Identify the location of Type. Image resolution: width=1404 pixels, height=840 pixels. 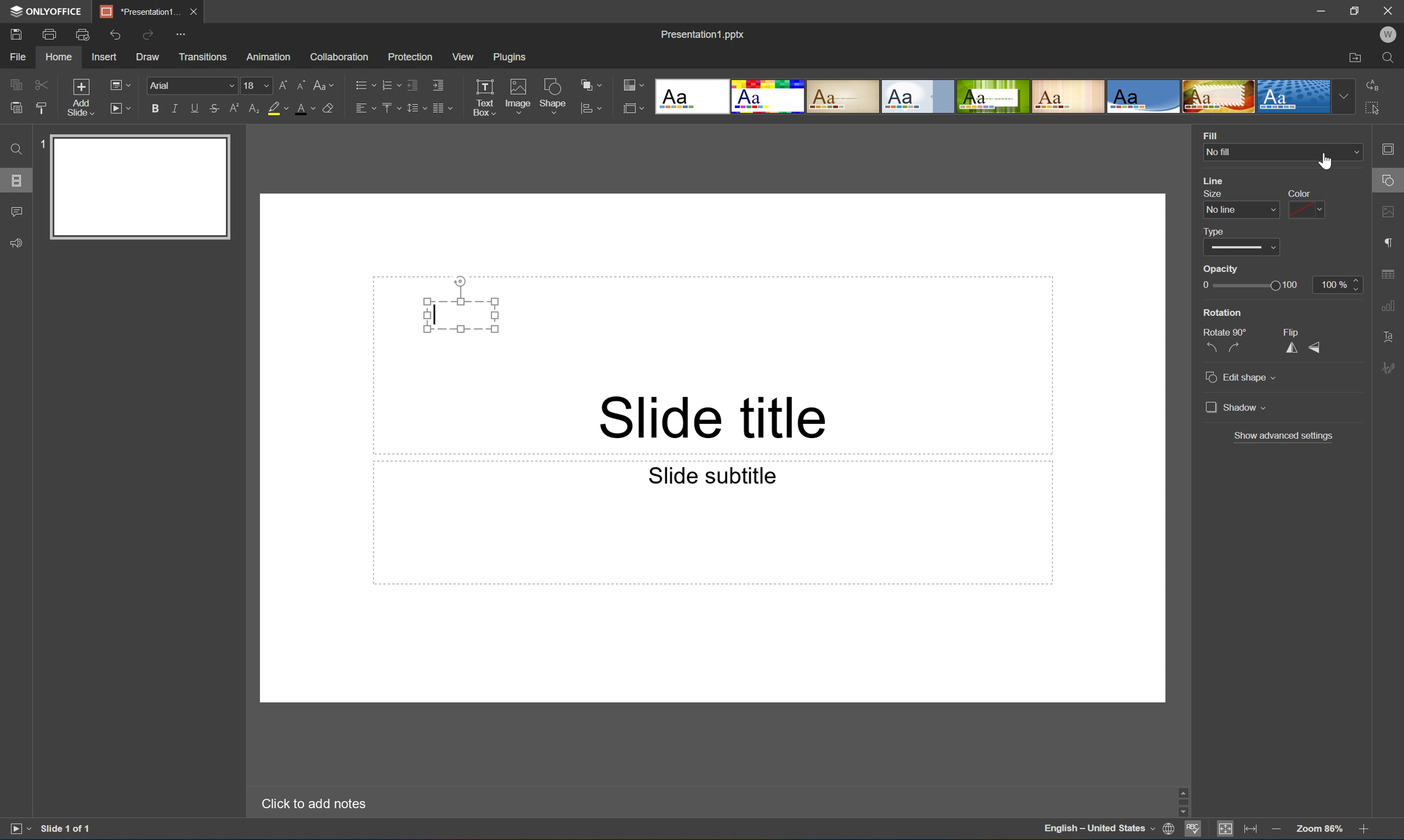
(1244, 248).